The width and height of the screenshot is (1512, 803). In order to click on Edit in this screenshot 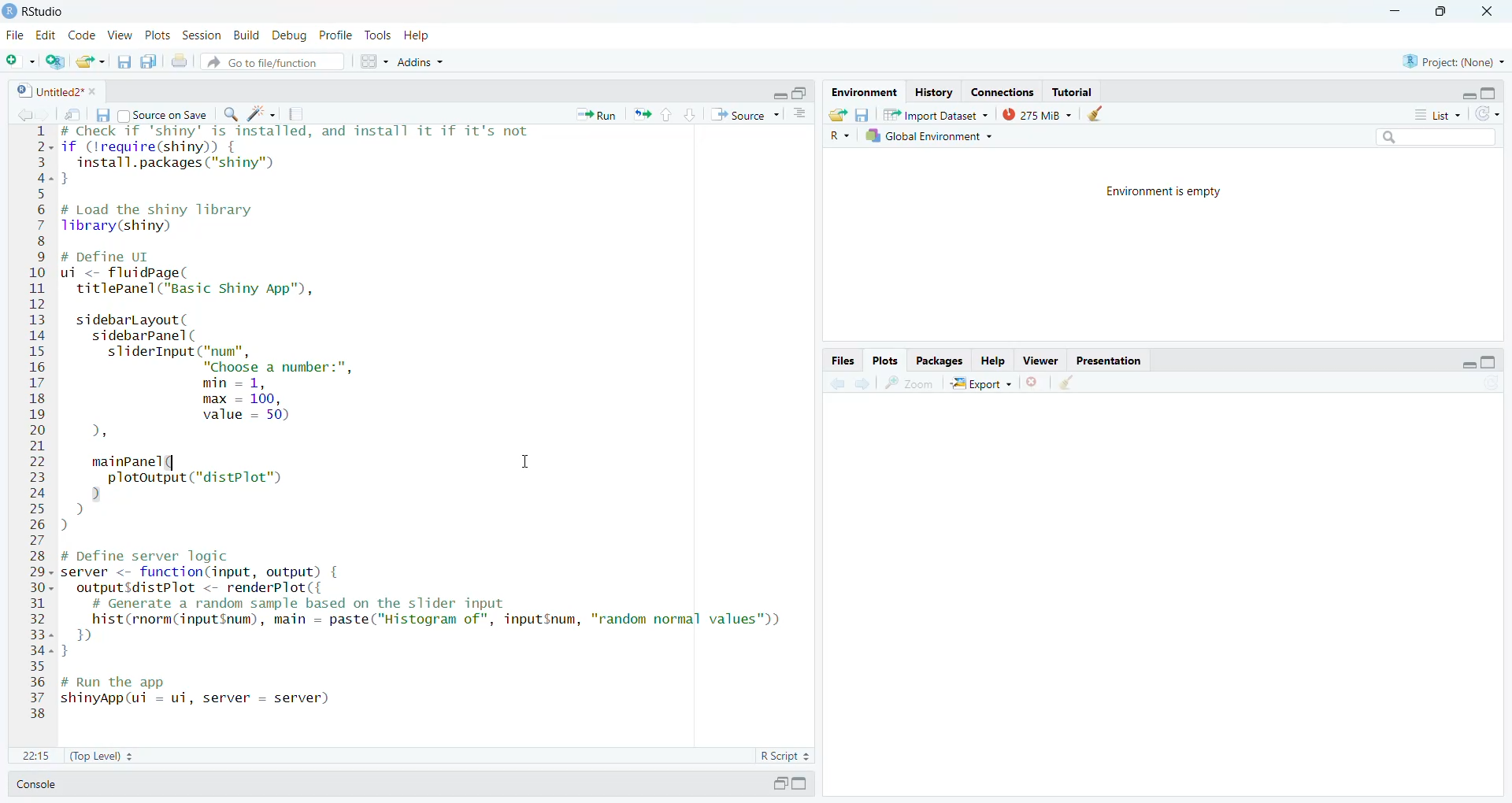, I will do `click(46, 36)`.